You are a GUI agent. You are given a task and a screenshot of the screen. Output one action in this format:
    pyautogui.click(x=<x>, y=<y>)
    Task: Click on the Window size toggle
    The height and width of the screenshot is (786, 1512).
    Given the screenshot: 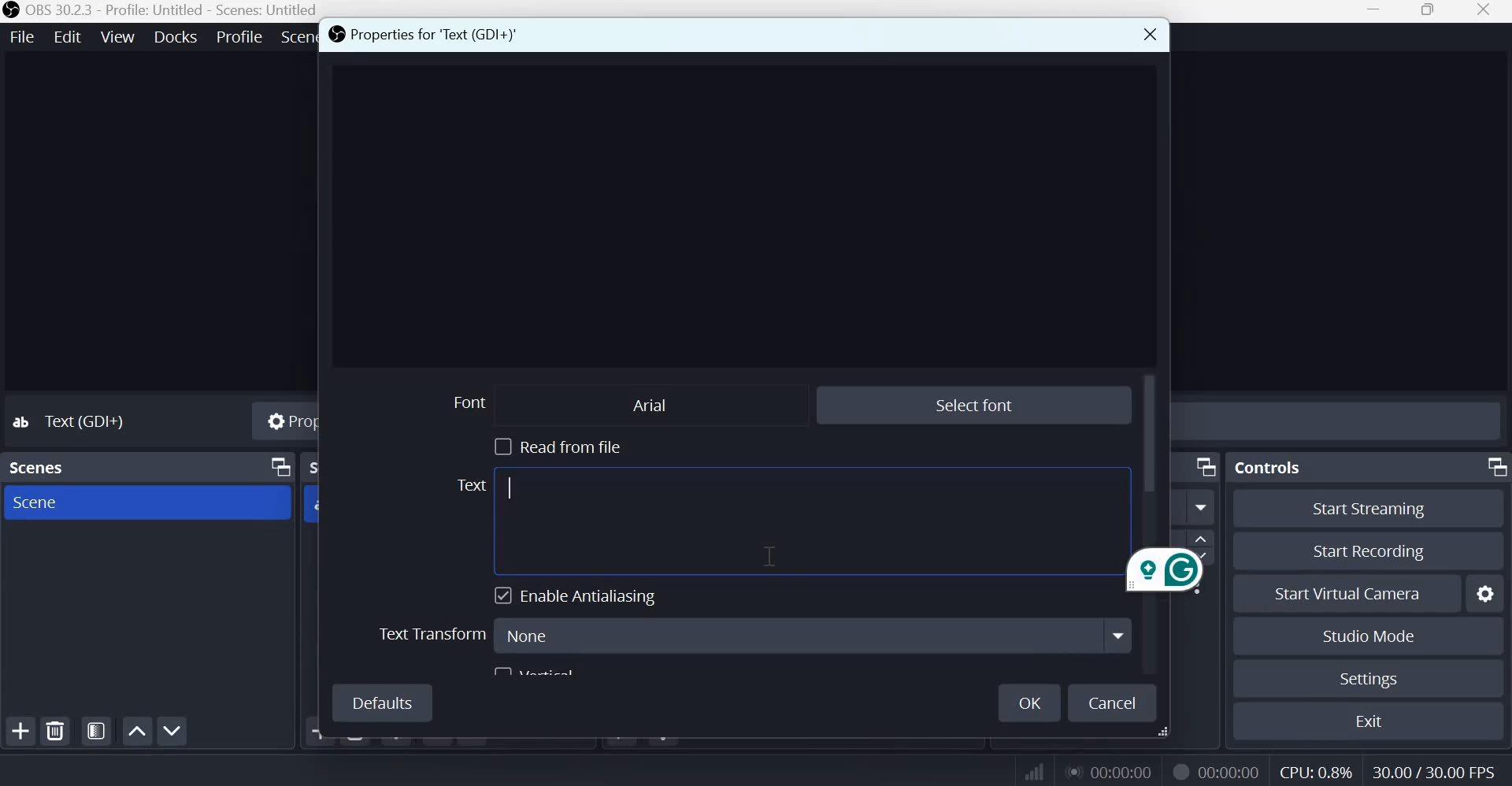 What is the action you would take?
    pyautogui.click(x=1429, y=11)
    